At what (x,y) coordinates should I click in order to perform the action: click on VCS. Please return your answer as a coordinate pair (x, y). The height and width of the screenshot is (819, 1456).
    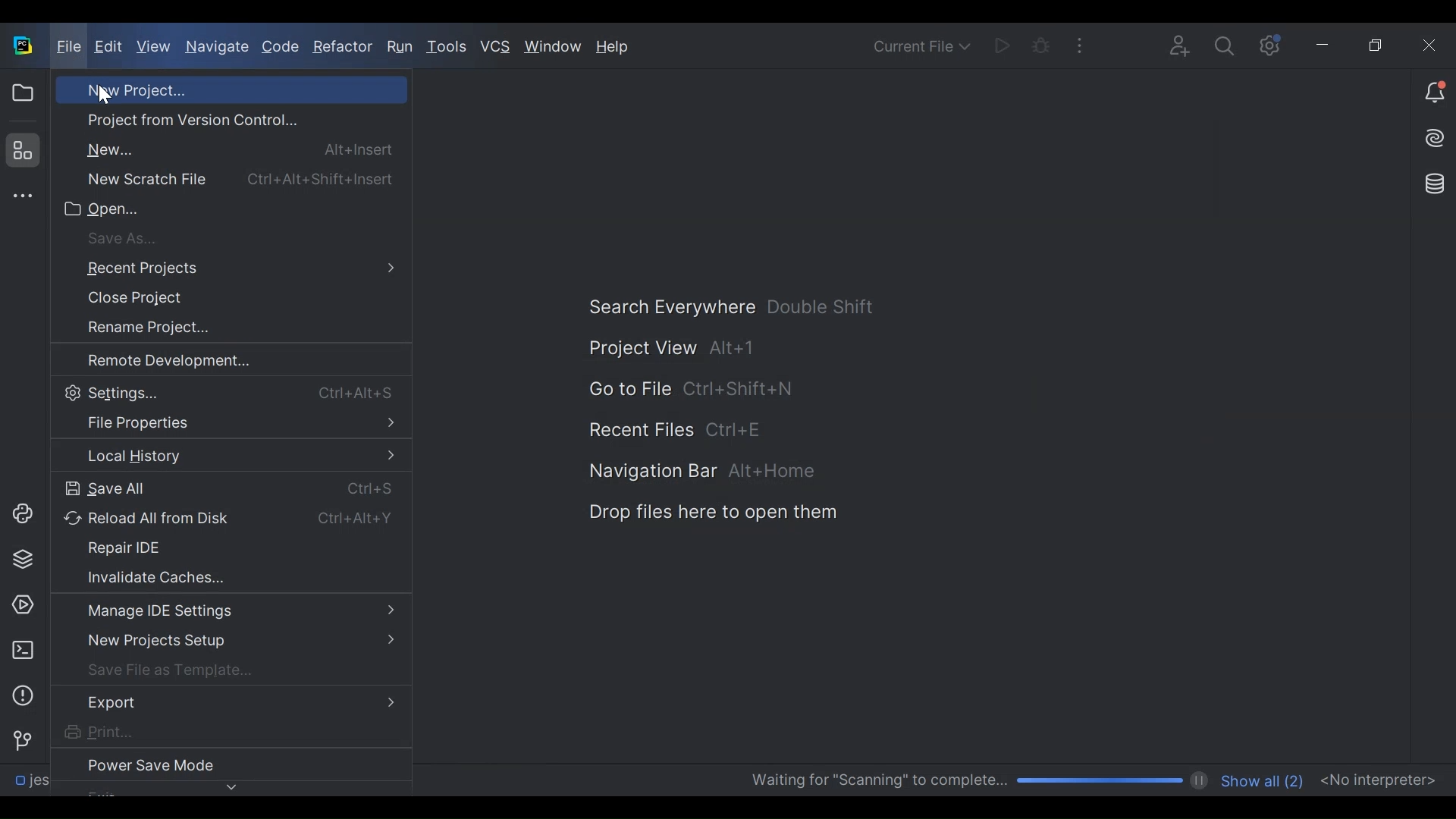
    Looking at the image, I should click on (495, 47).